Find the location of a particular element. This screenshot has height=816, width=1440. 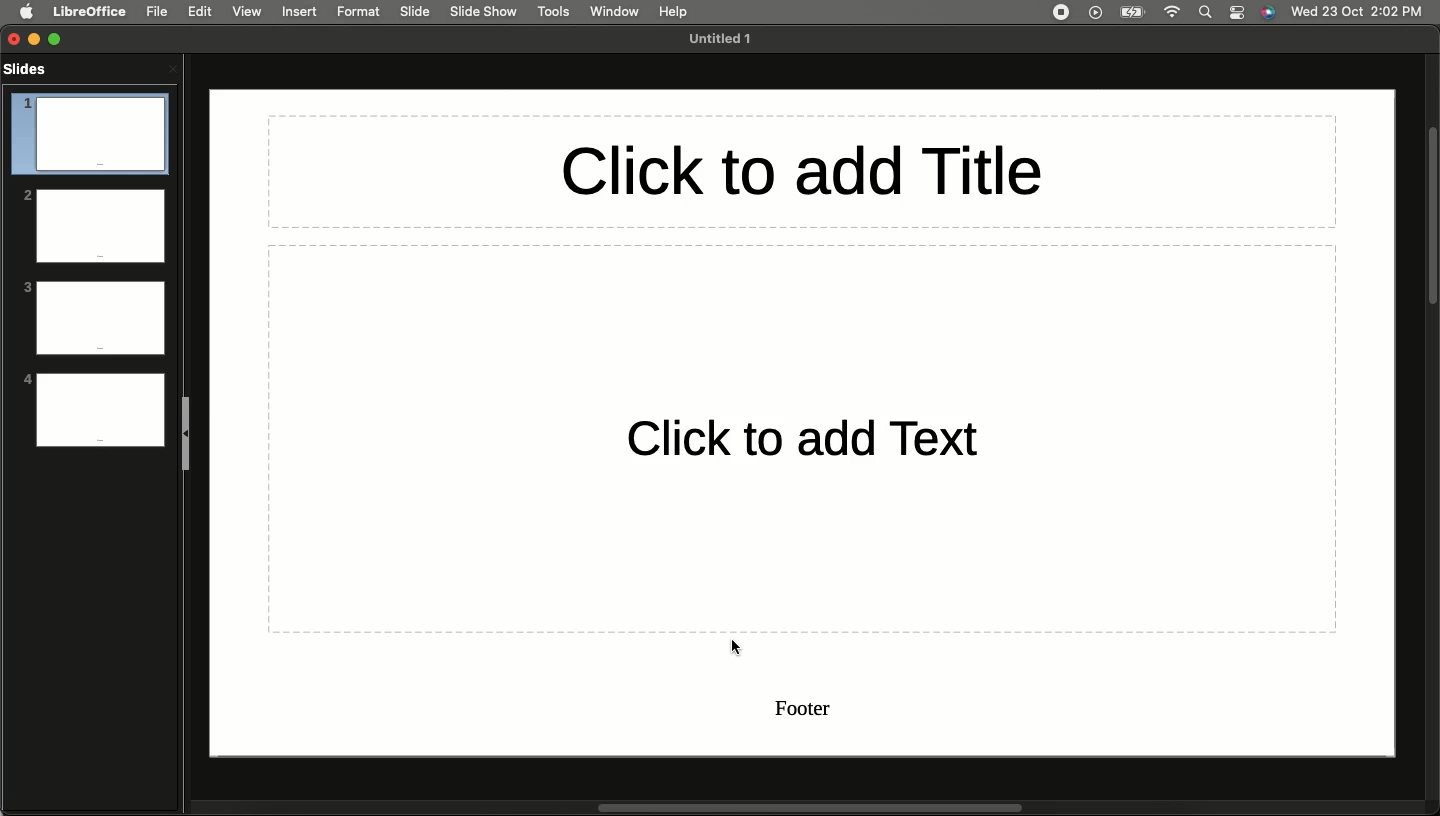

Footer is located at coordinates (98, 440).